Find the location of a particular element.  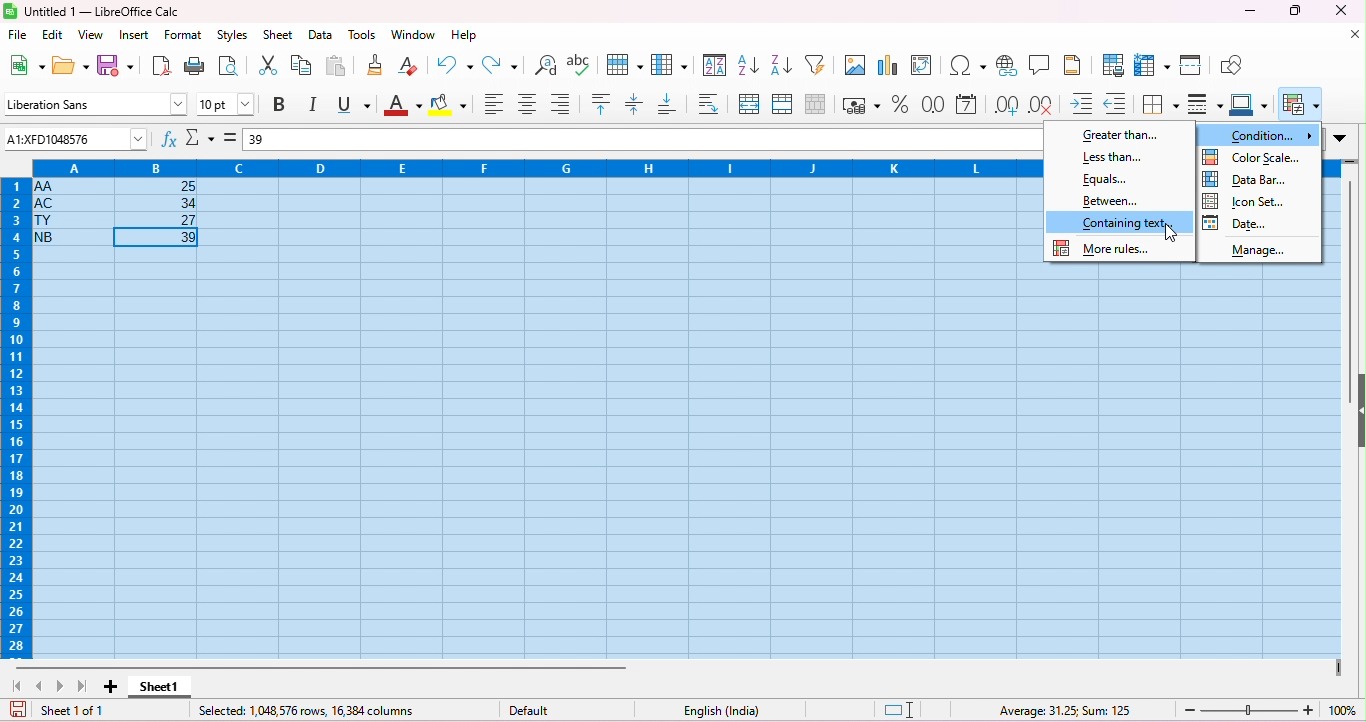

formula is located at coordinates (1066, 712).